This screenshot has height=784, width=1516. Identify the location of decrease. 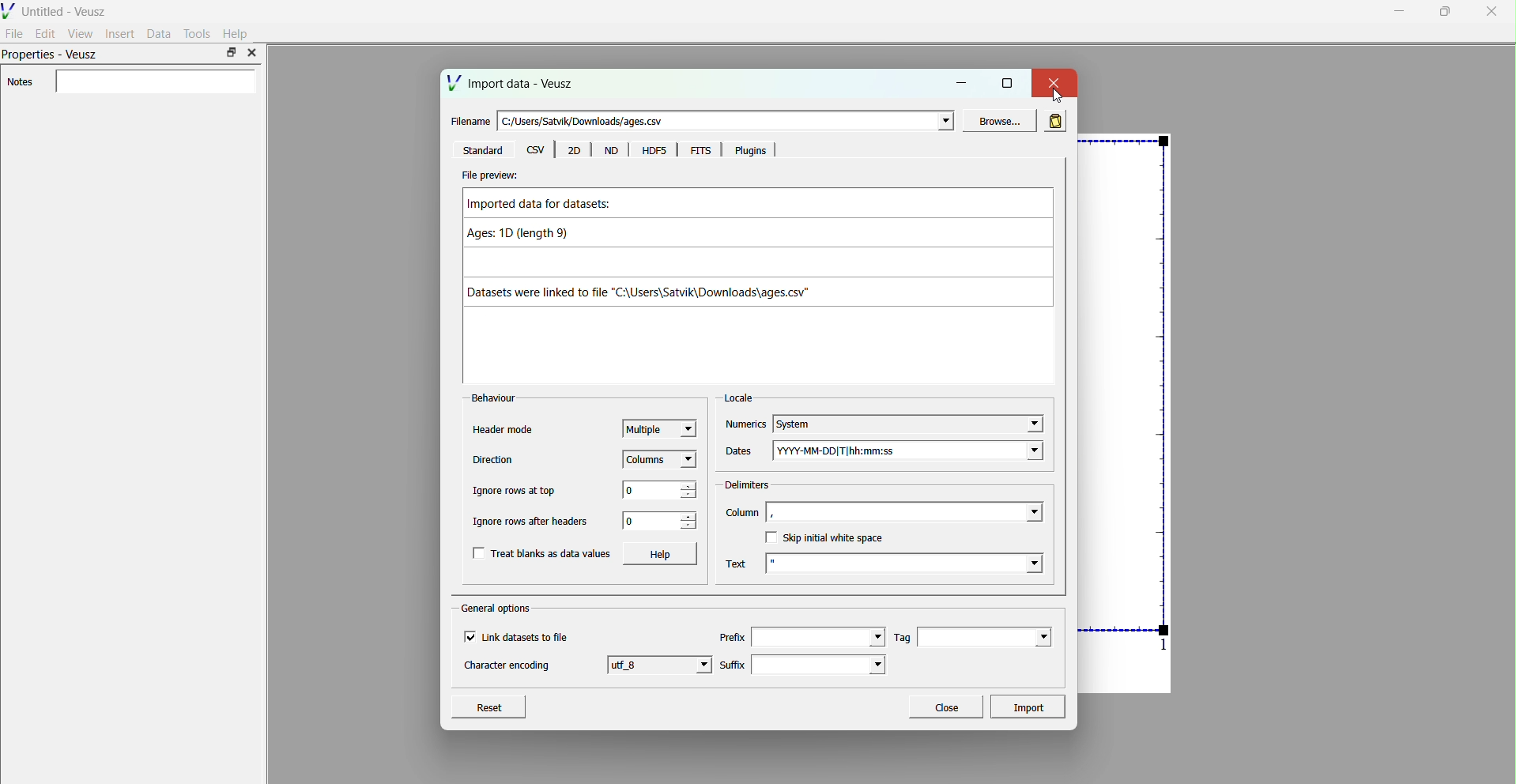
(689, 496).